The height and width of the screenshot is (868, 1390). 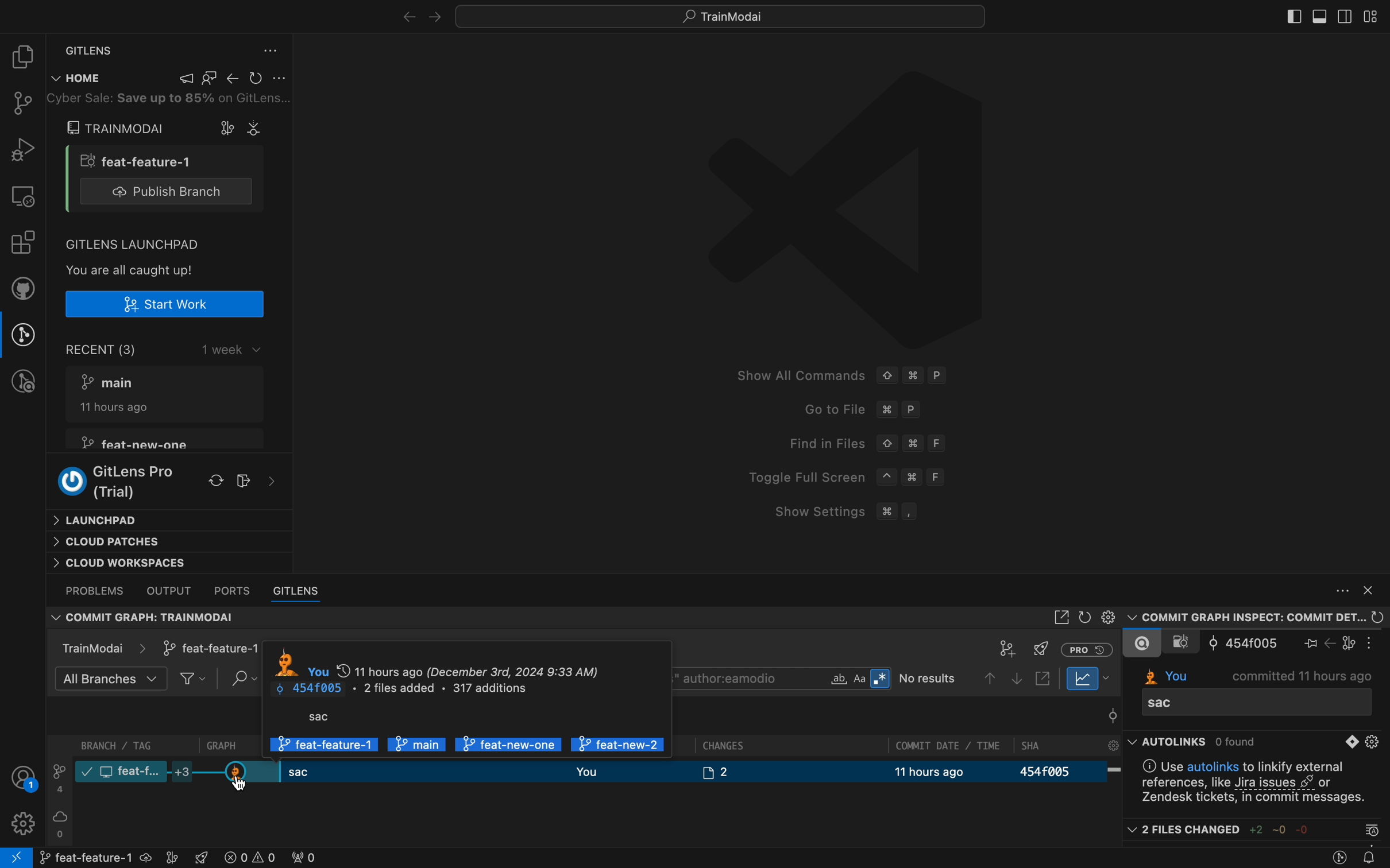 I want to click on Commit graph: TrainmodeAI, so click(x=141, y=617).